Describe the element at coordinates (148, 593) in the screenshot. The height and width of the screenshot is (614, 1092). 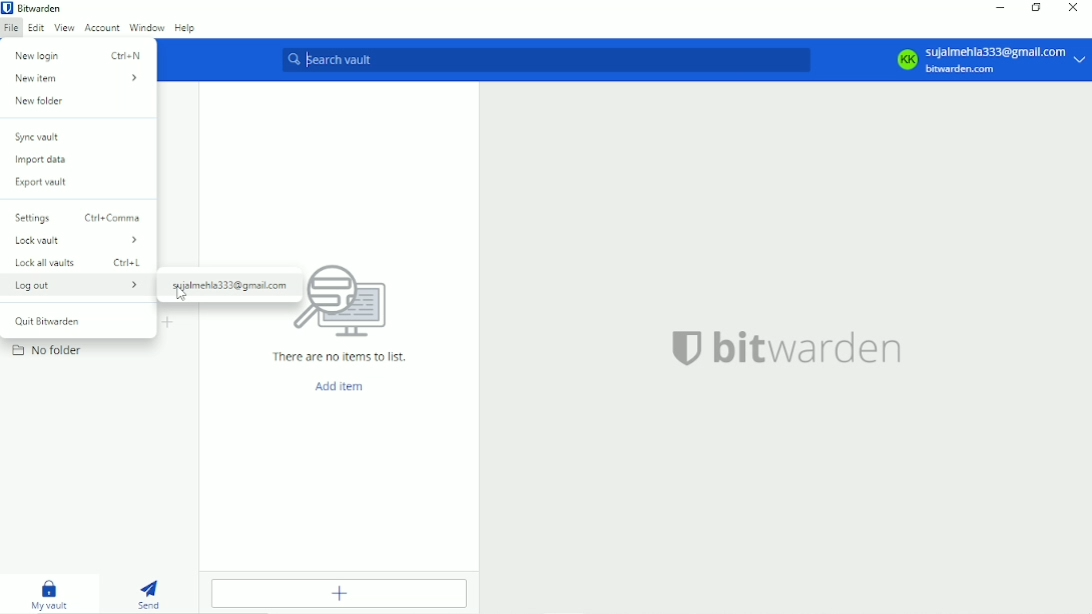
I see `Send` at that location.